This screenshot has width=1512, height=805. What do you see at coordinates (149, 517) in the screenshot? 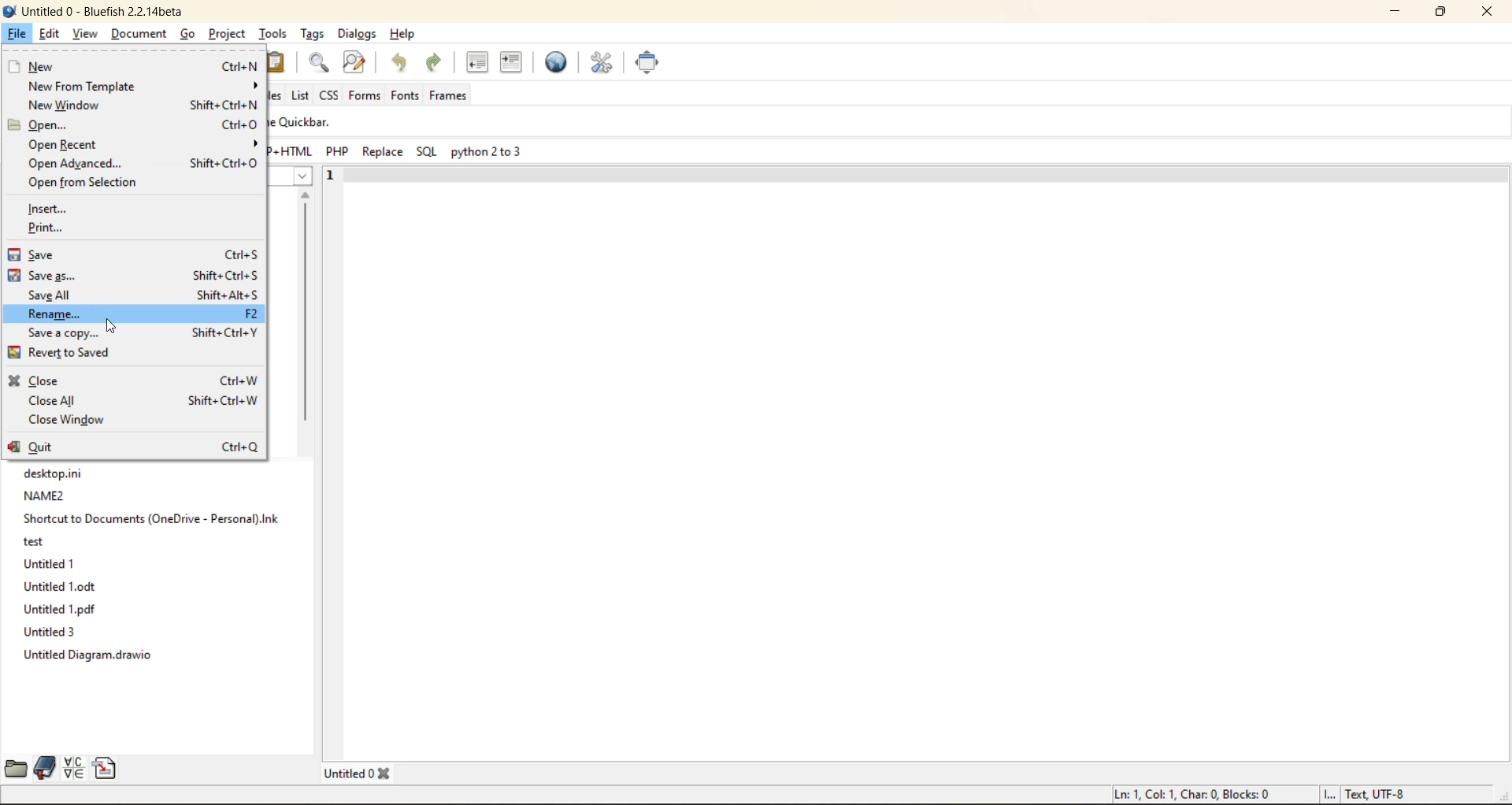
I see `Shortcut to Documents (OneDrive-Personal).Ink` at bounding box center [149, 517].